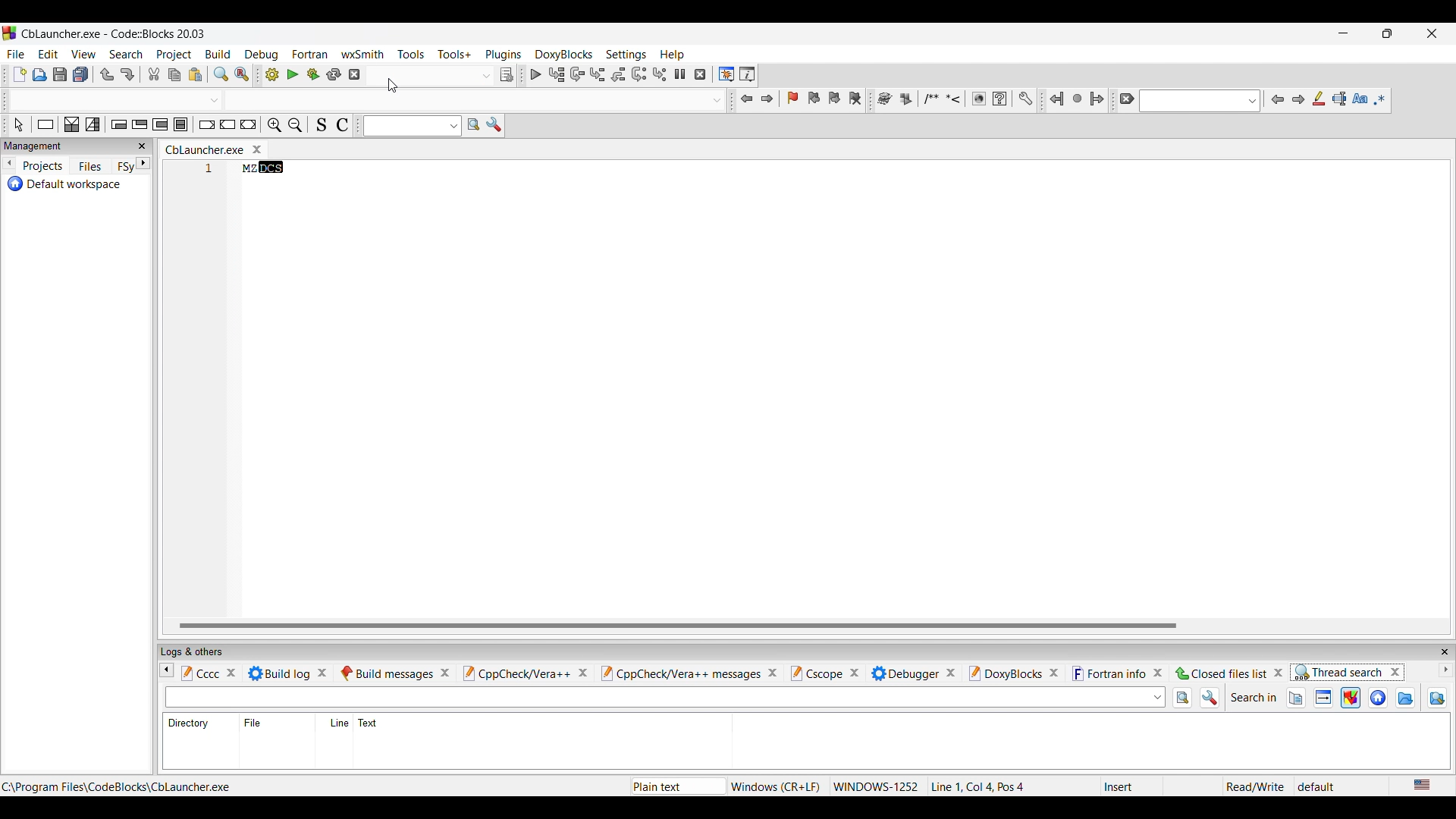 The height and width of the screenshot is (819, 1456). I want to click on Project name, software name, and project version, so click(113, 34).